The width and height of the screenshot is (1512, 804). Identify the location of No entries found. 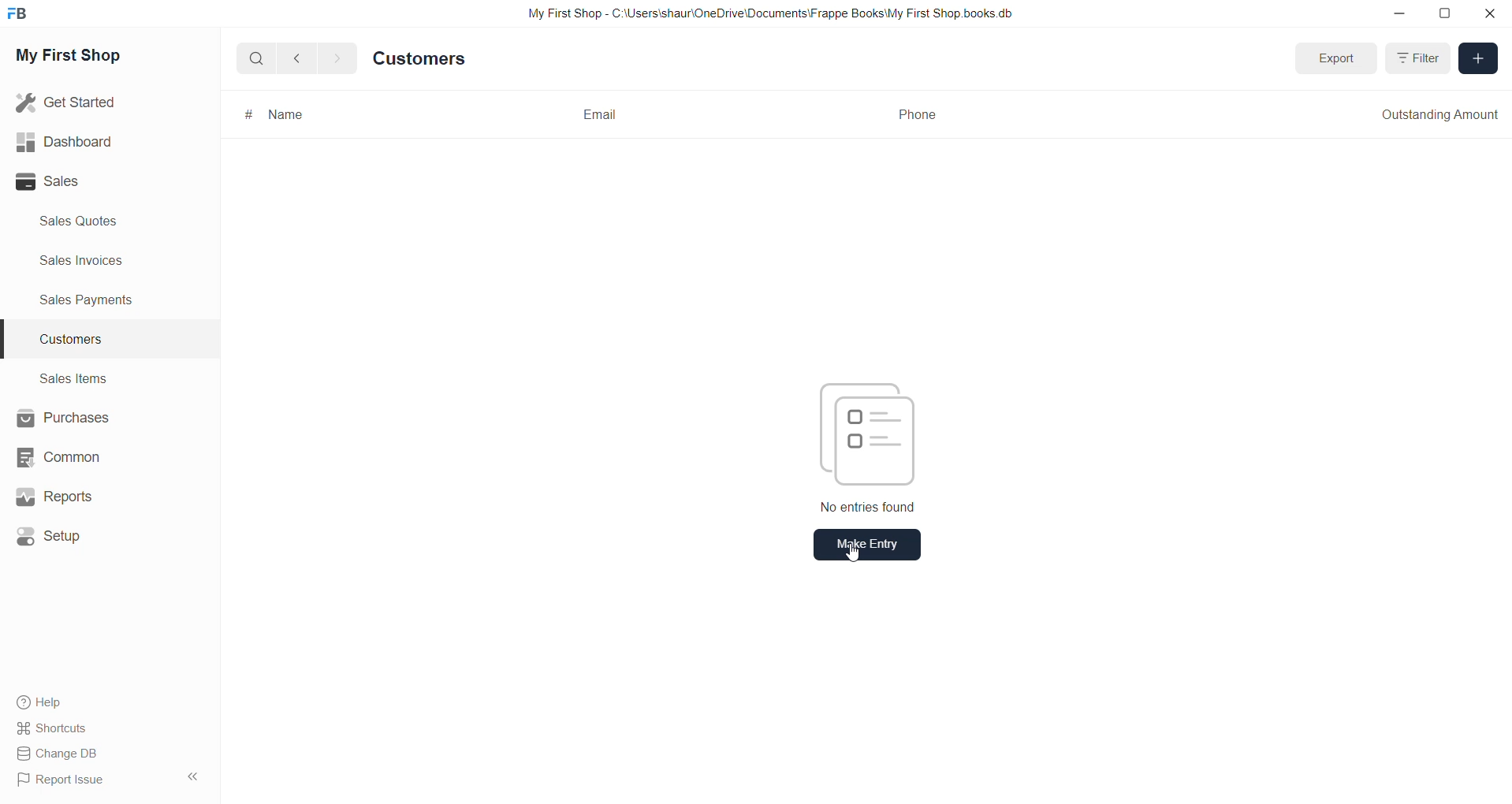
(873, 509).